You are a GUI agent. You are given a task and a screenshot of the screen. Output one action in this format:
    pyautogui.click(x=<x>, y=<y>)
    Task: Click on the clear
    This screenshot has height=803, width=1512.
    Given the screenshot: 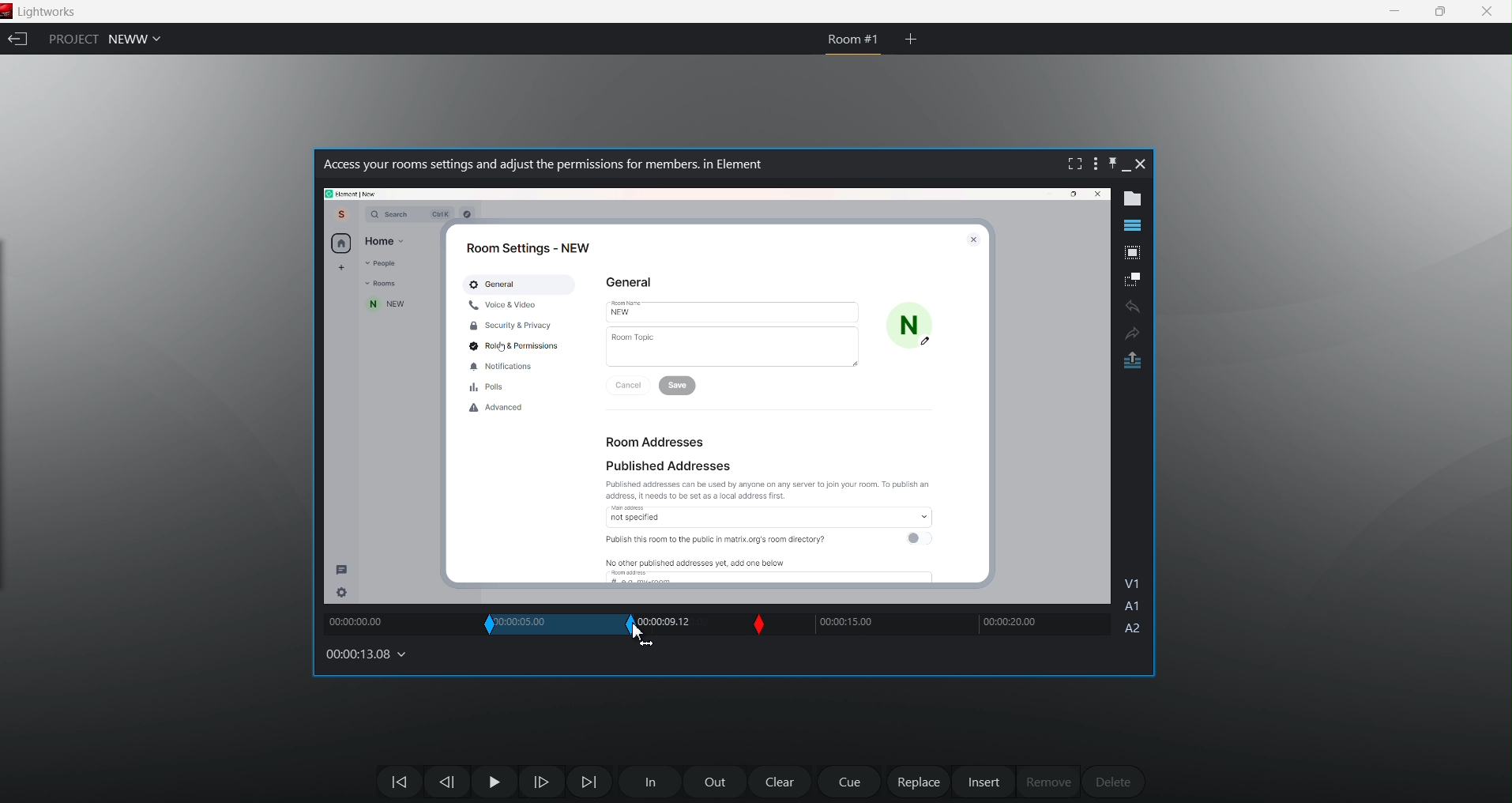 What is the action you would take?
    pyautogui.click(x=777, y=779)
    